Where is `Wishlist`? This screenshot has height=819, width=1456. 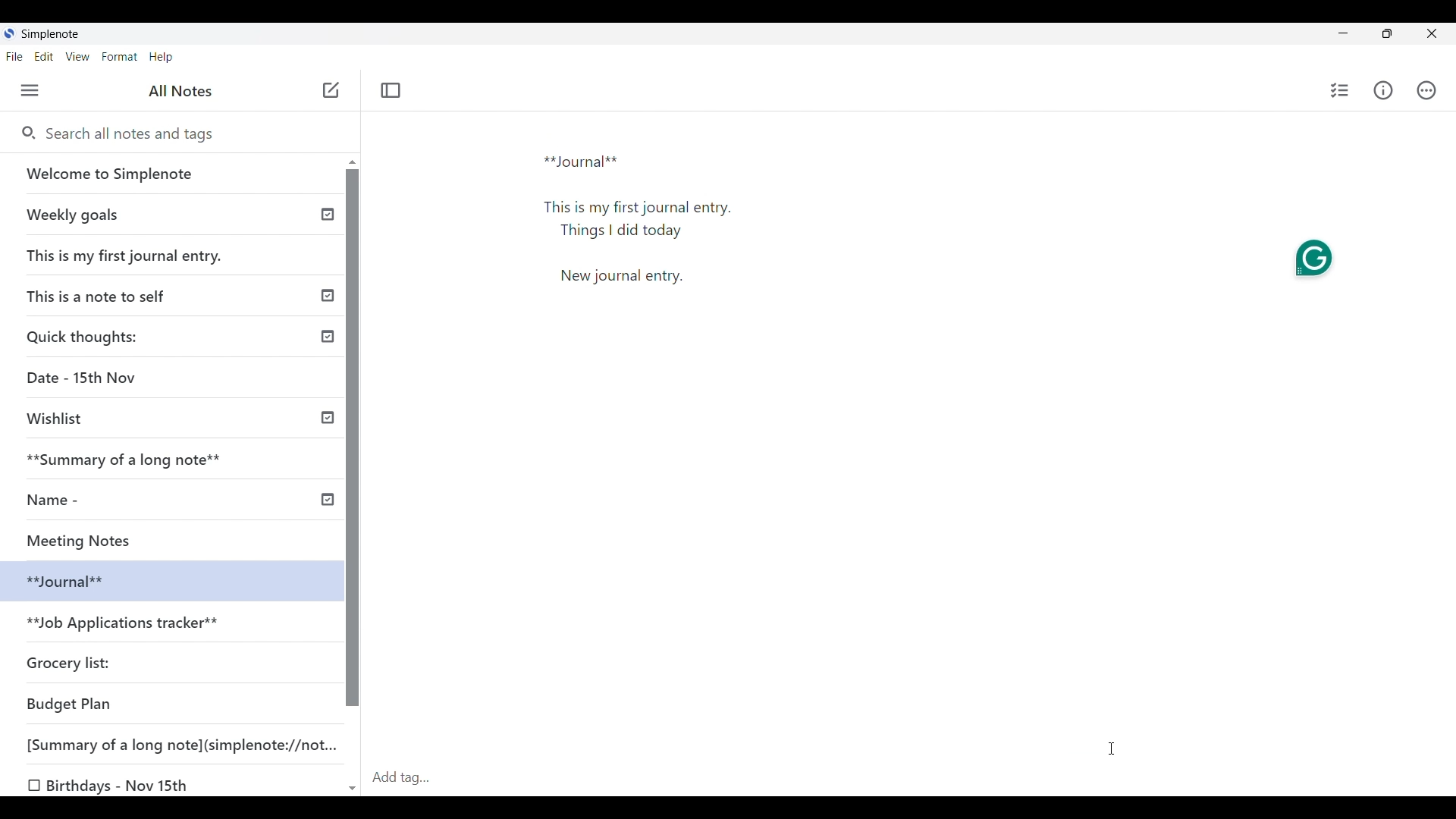
Wishlist is located at coordinates (61, 419).